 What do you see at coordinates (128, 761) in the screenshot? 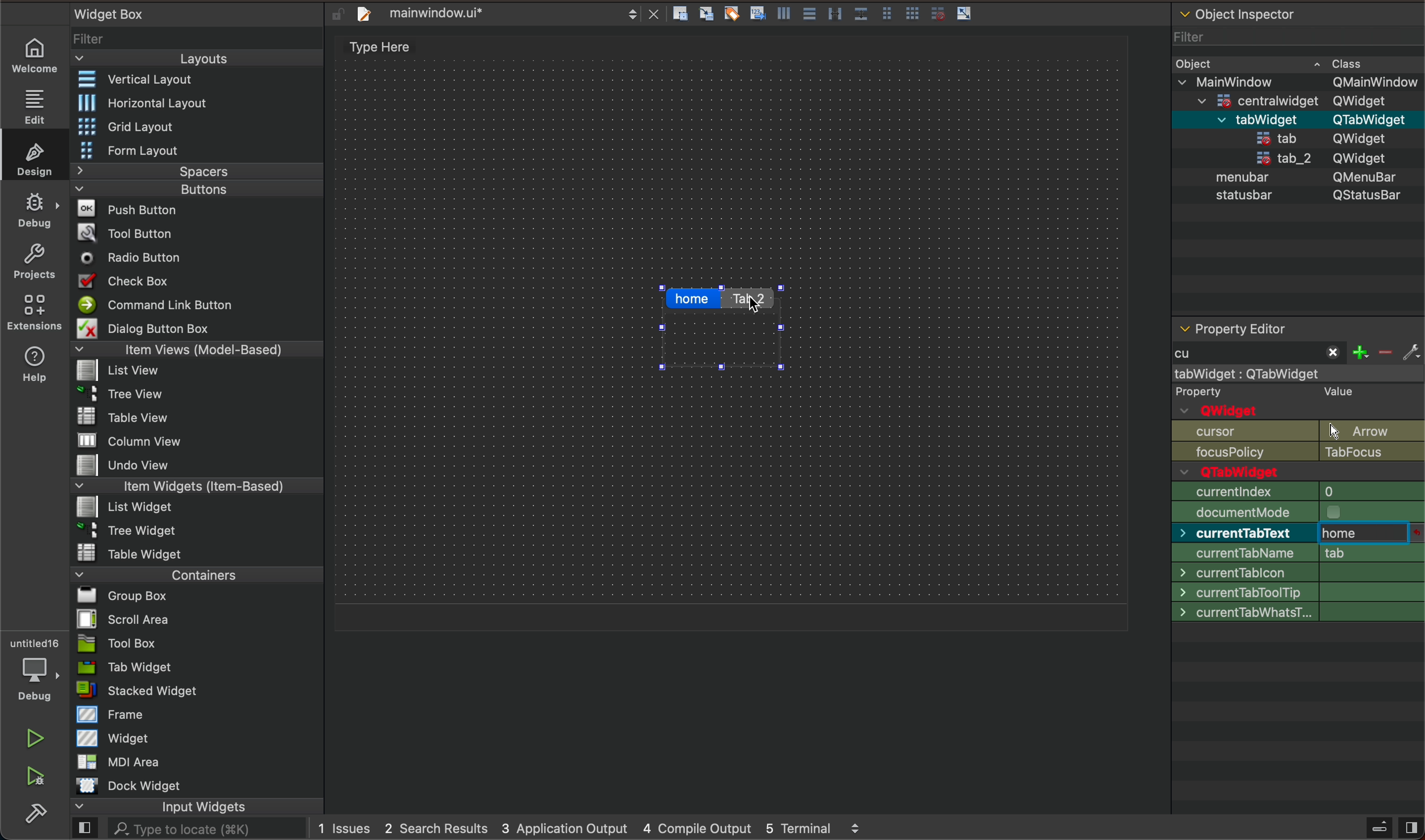
I see ` MDI Area` at bounding box center [128, 761].